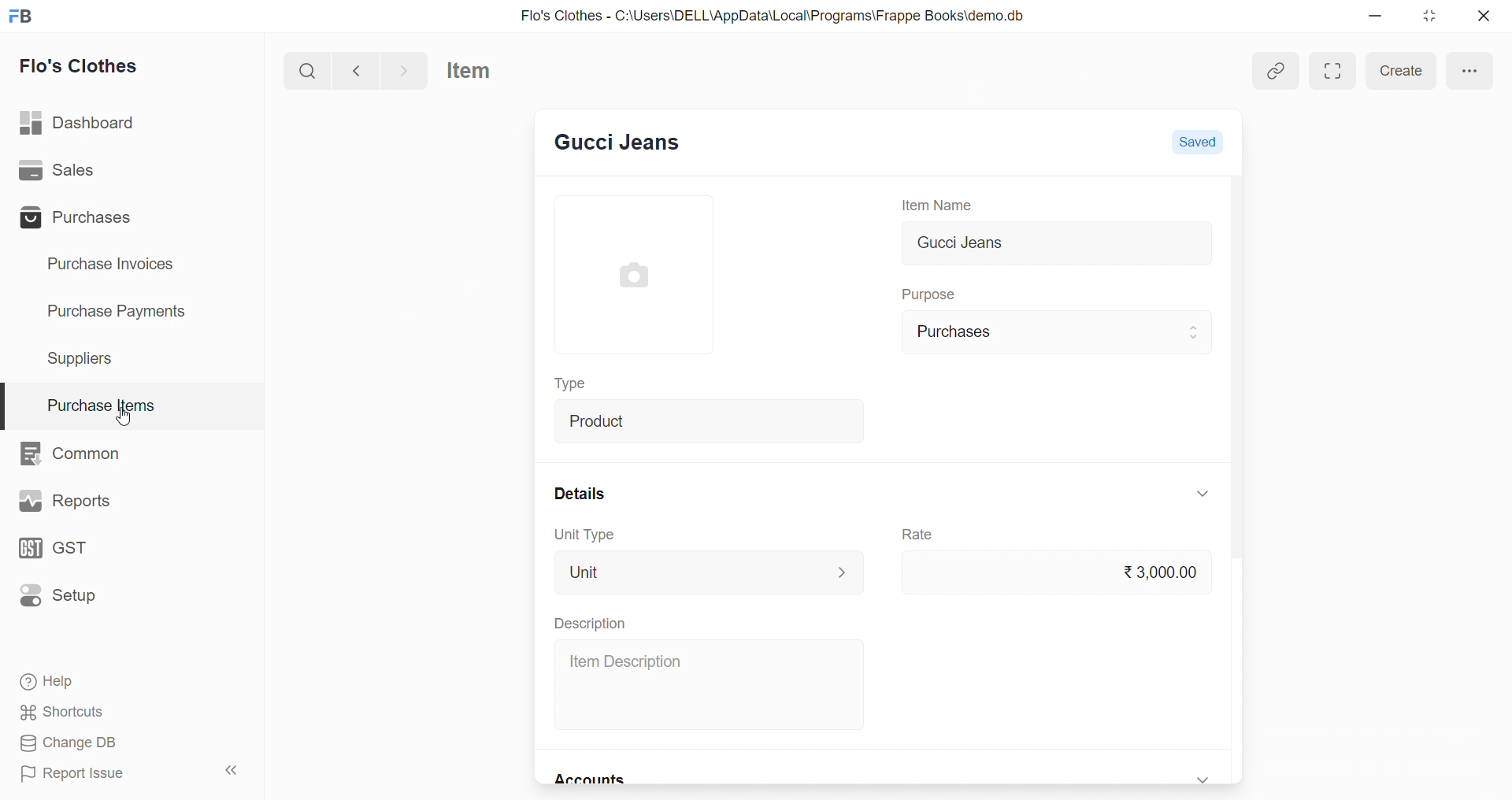 The height and width of the screenshot is (800, 1512). I want to click on New Entry, so click(617, 144).